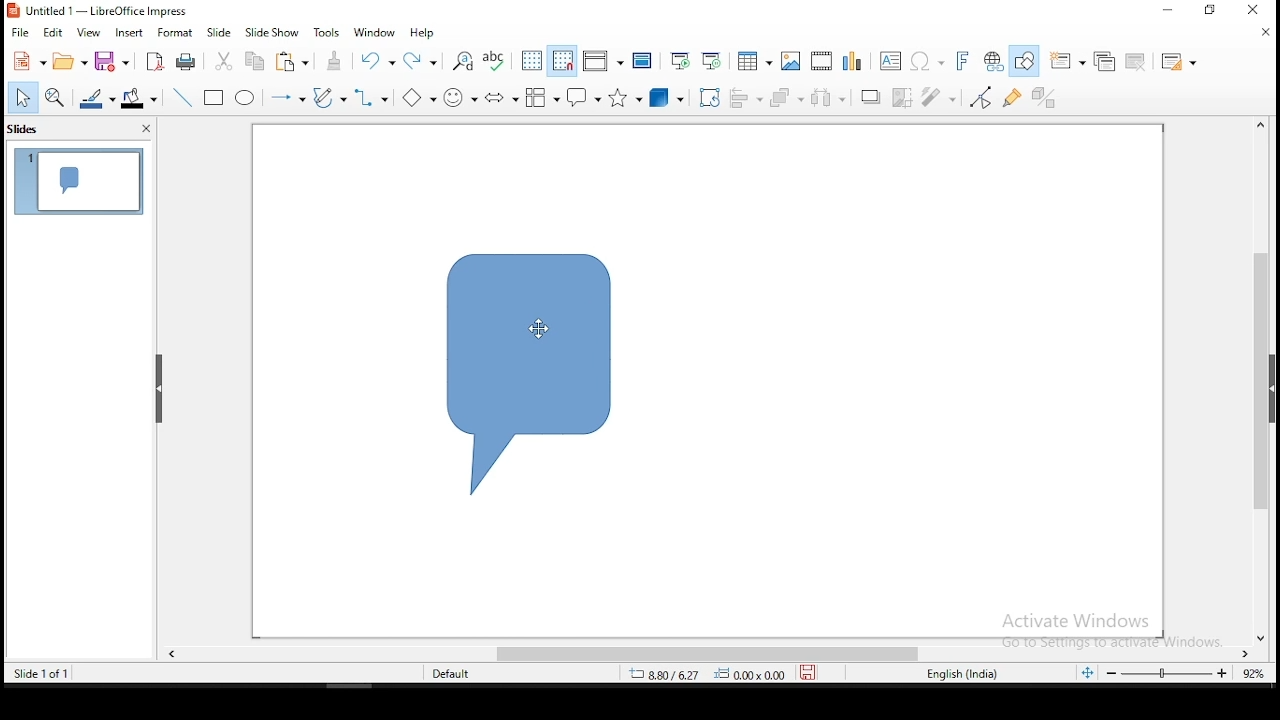 This screenshot has height=720, width=1280. What do you see at coordinates (829, 96) in the screenshot?
I see `distribute` at bounding box center [829, 96].